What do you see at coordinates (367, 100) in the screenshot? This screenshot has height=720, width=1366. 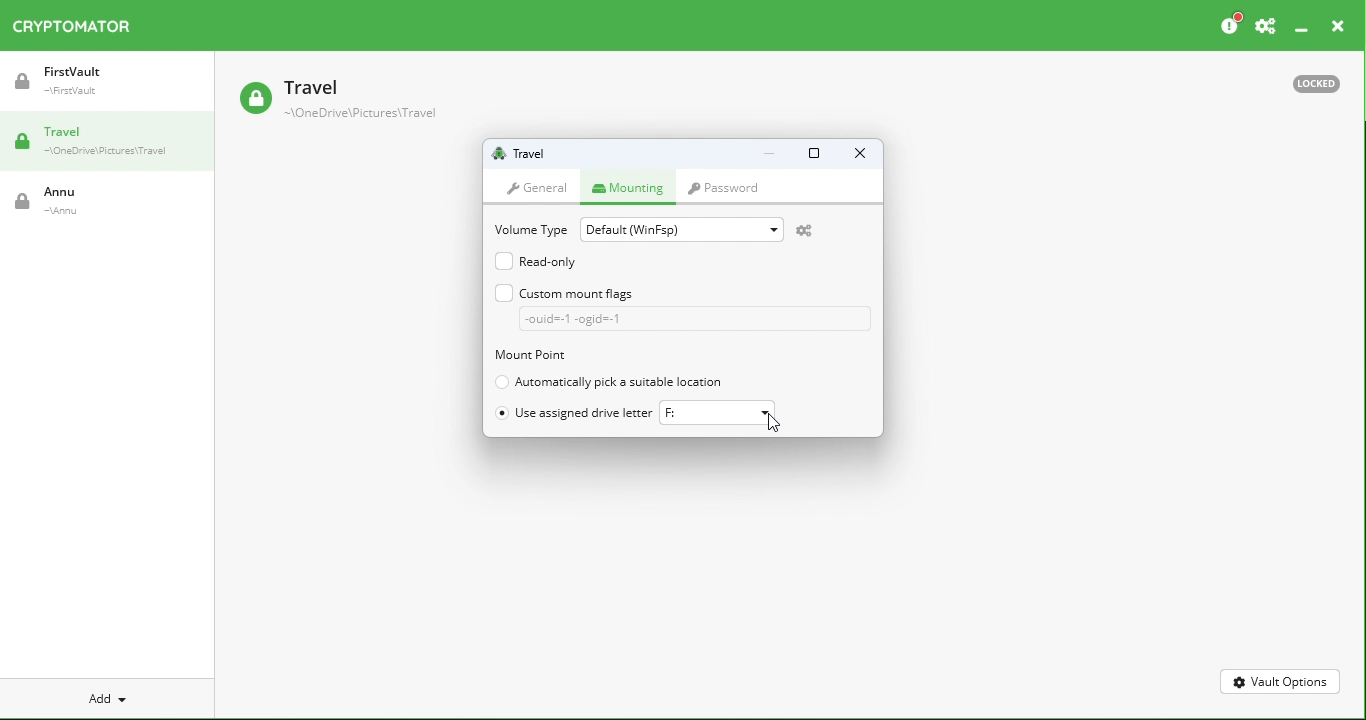 I see `Travel Vault` at bounding box center [367, 100].